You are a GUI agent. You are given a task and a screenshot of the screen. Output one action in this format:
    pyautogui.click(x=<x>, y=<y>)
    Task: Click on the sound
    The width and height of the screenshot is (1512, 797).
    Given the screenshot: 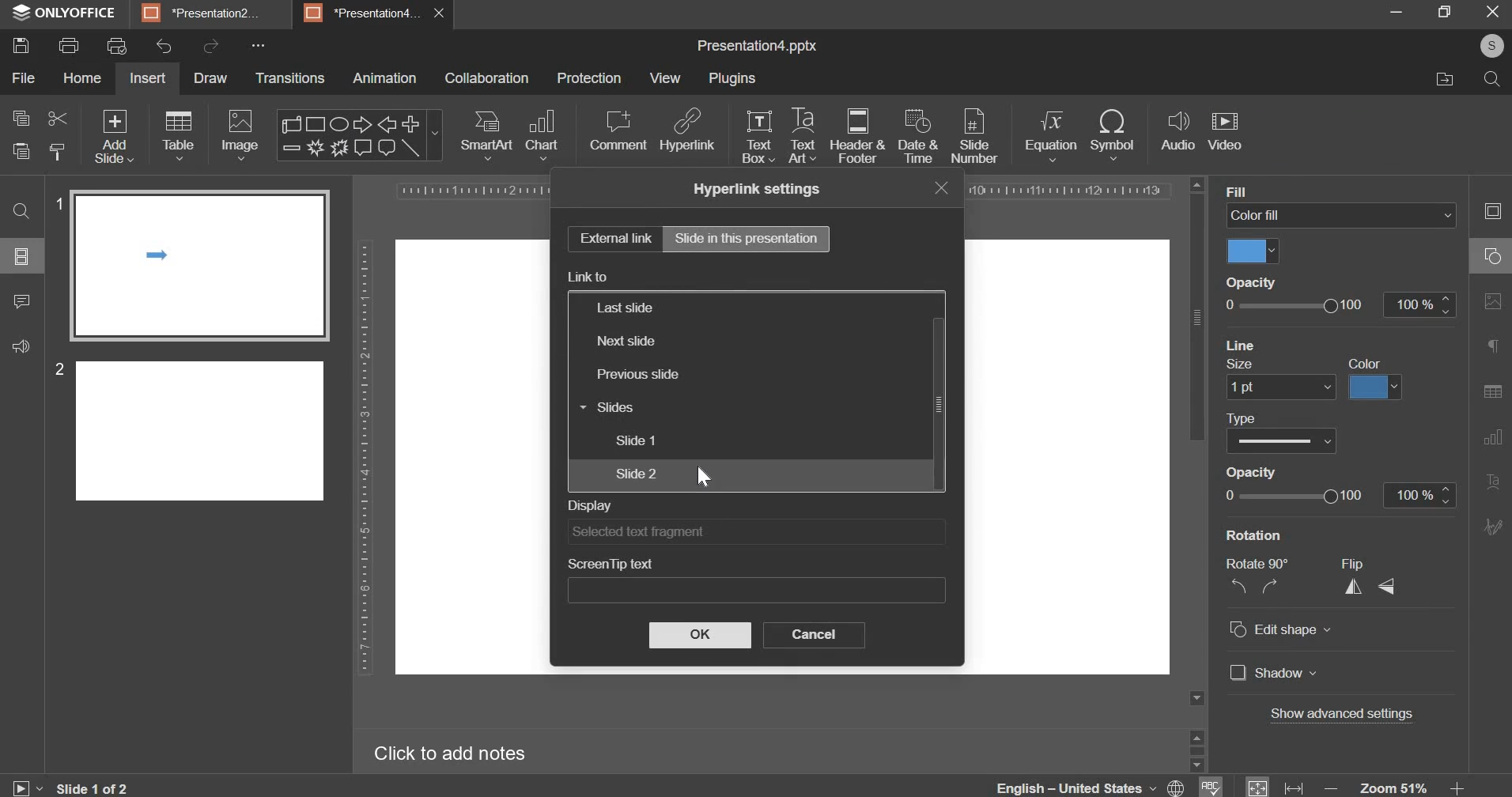 What is the action you would take?
    pyautogui.click(x=21, y=349)
    